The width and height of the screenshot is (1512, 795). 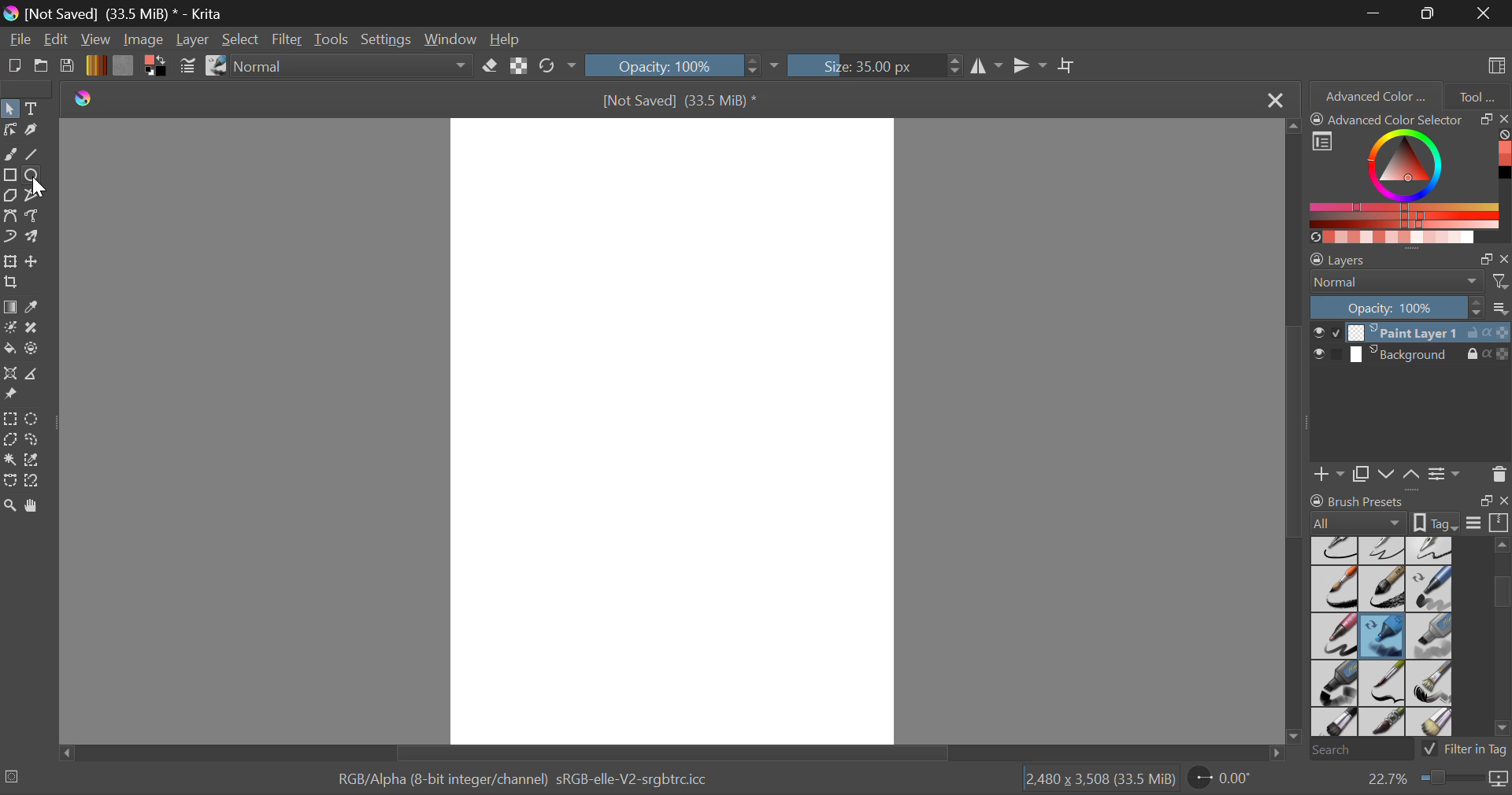 What do you see at coordinates (1444, 473) in the screenshot?
I see `Settings` at bounding box center [1444, 473].